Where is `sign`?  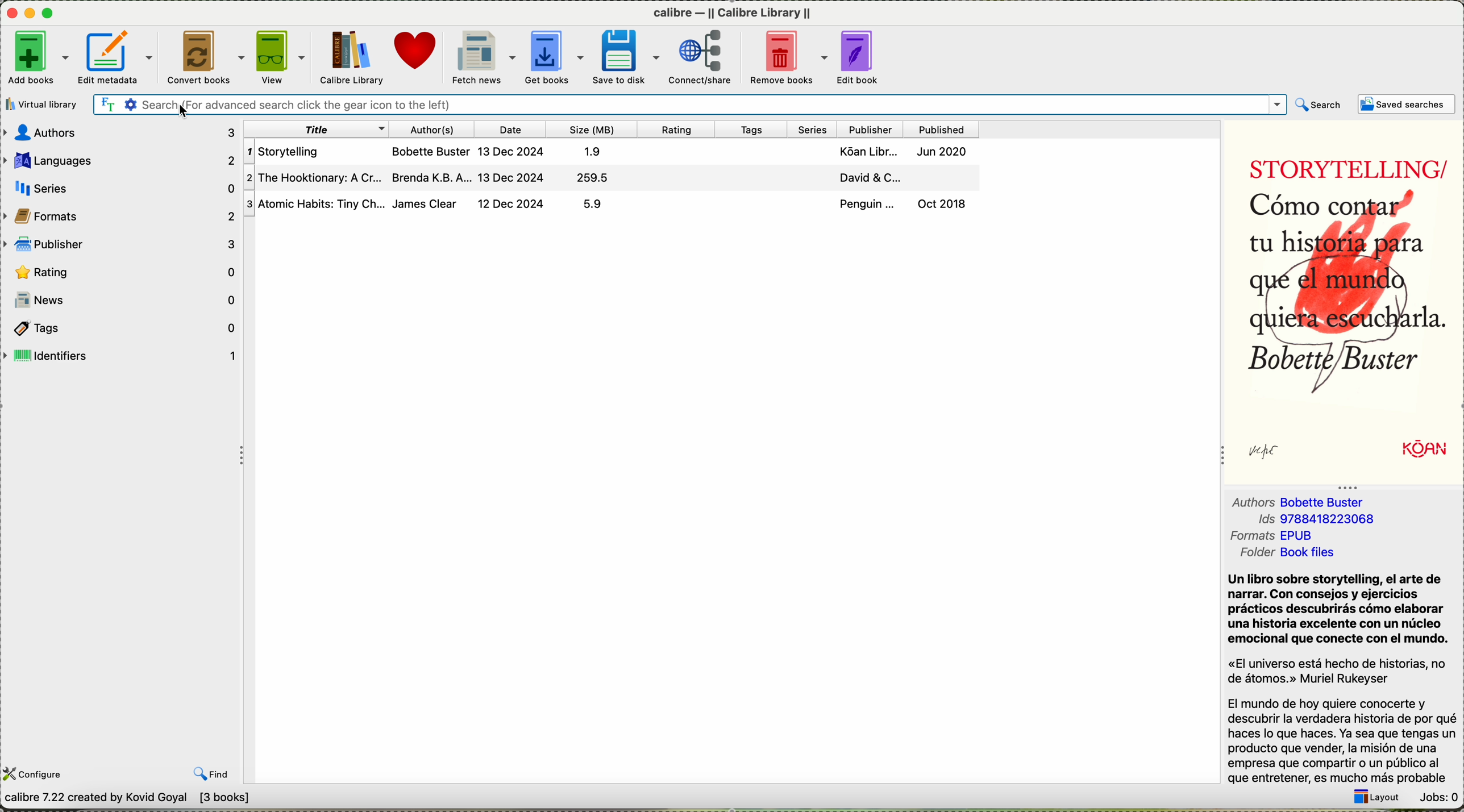
sign is located at coordinates (1275, 452).